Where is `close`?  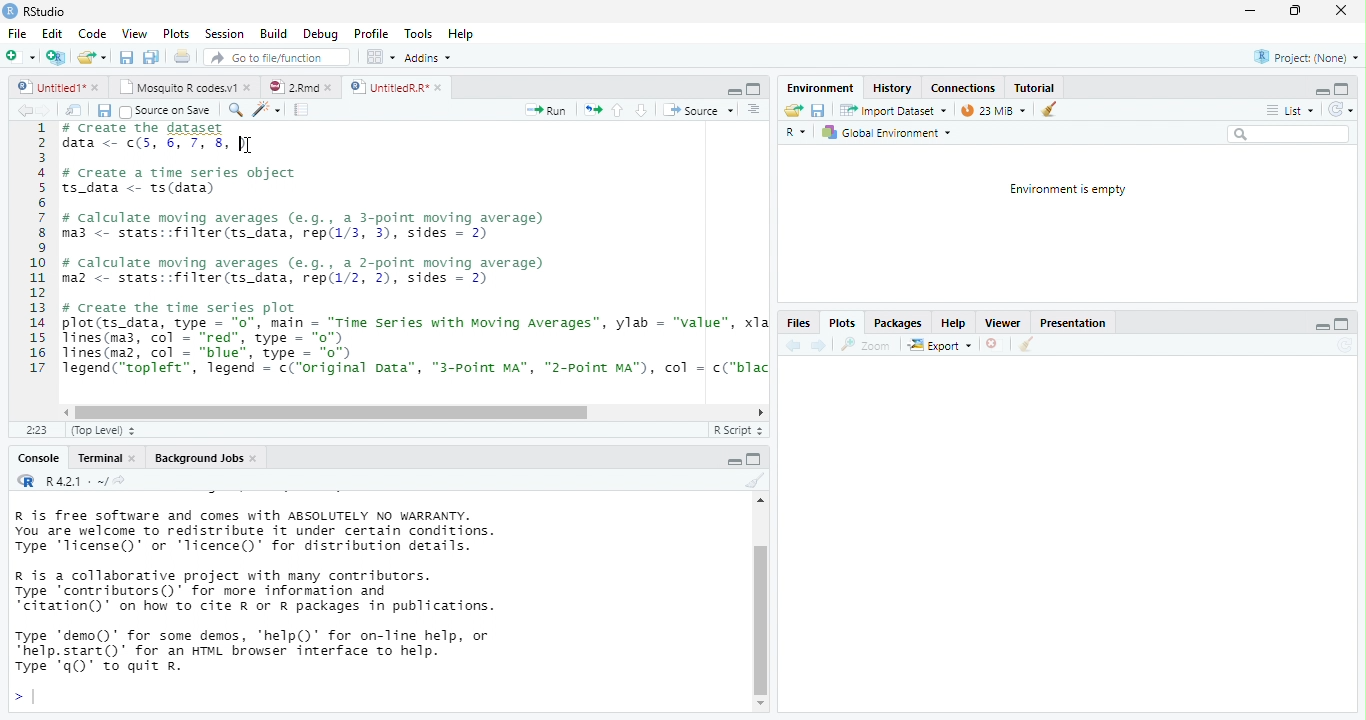 close is located at coordinates (332, 88).